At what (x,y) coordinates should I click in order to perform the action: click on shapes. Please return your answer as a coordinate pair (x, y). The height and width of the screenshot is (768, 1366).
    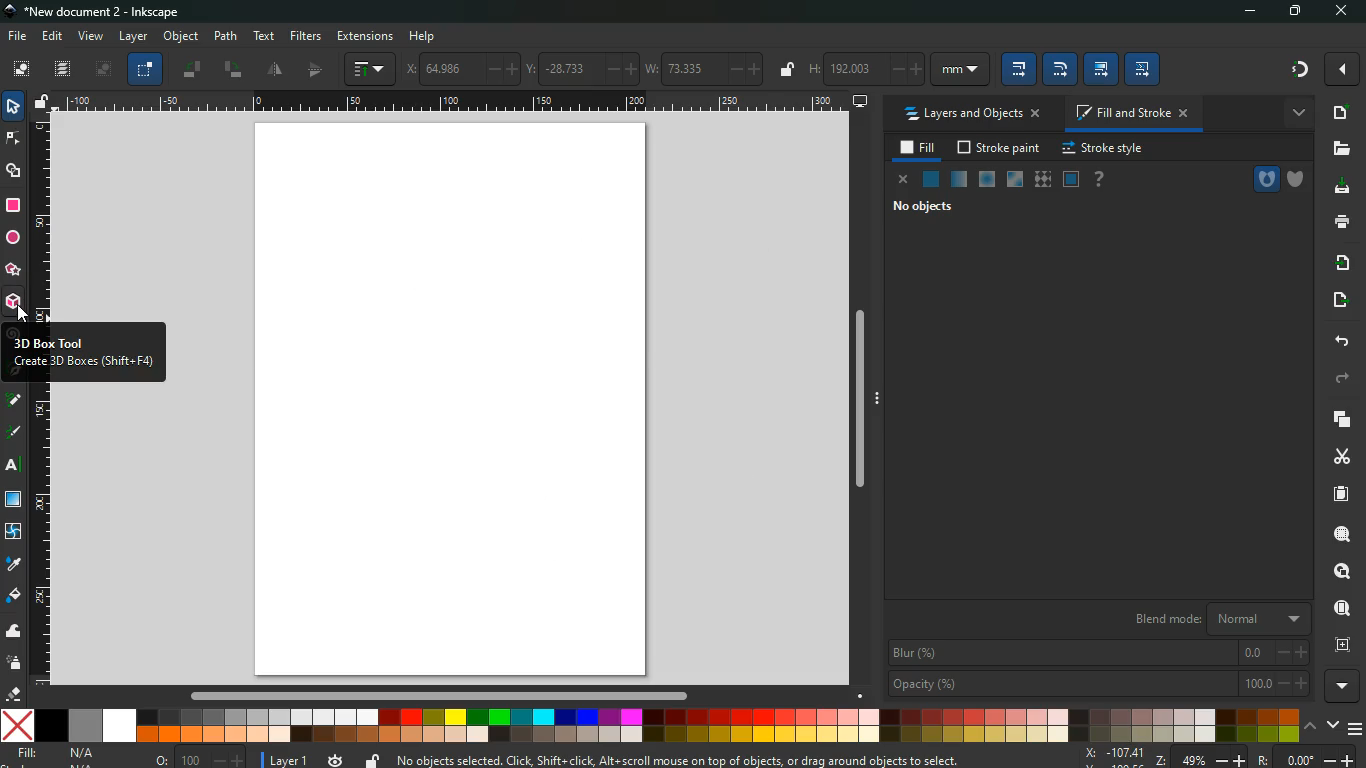
    Looking at the image, I should click on (14, 171).